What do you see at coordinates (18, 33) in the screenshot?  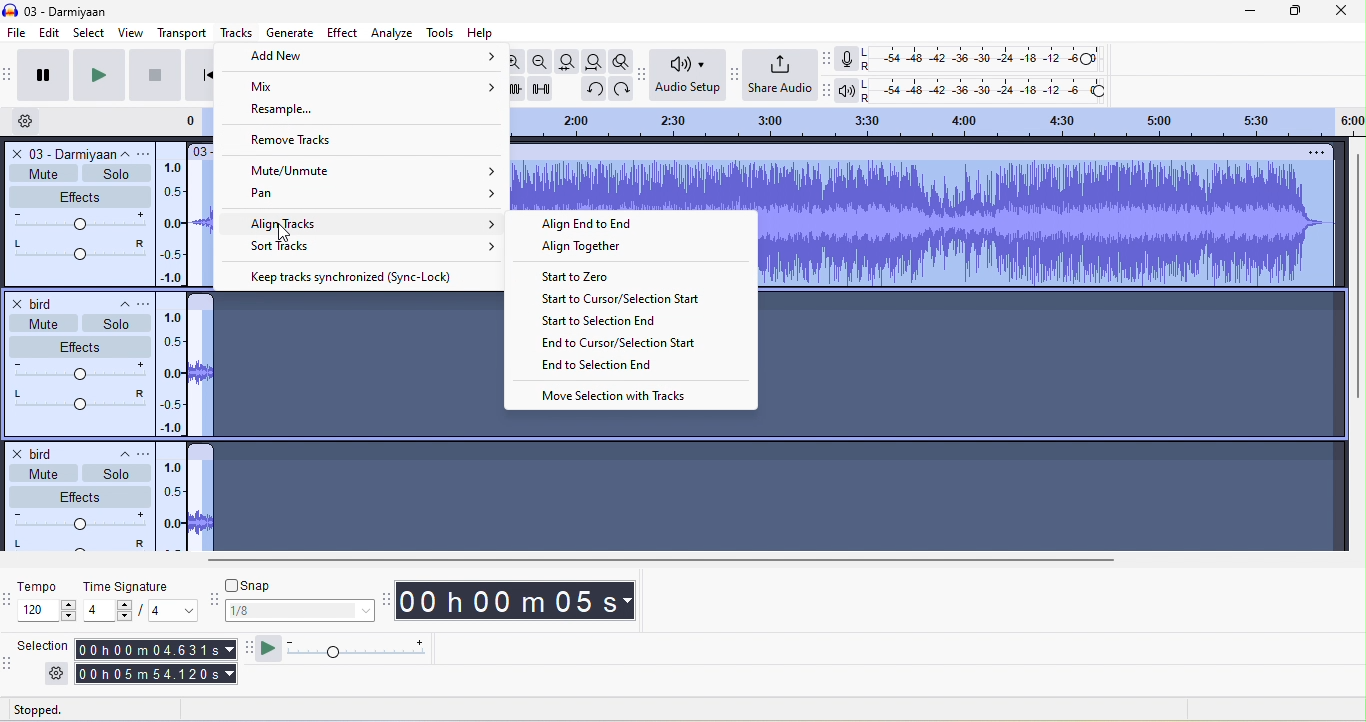 I see `file` at bounding box center [18, 33].